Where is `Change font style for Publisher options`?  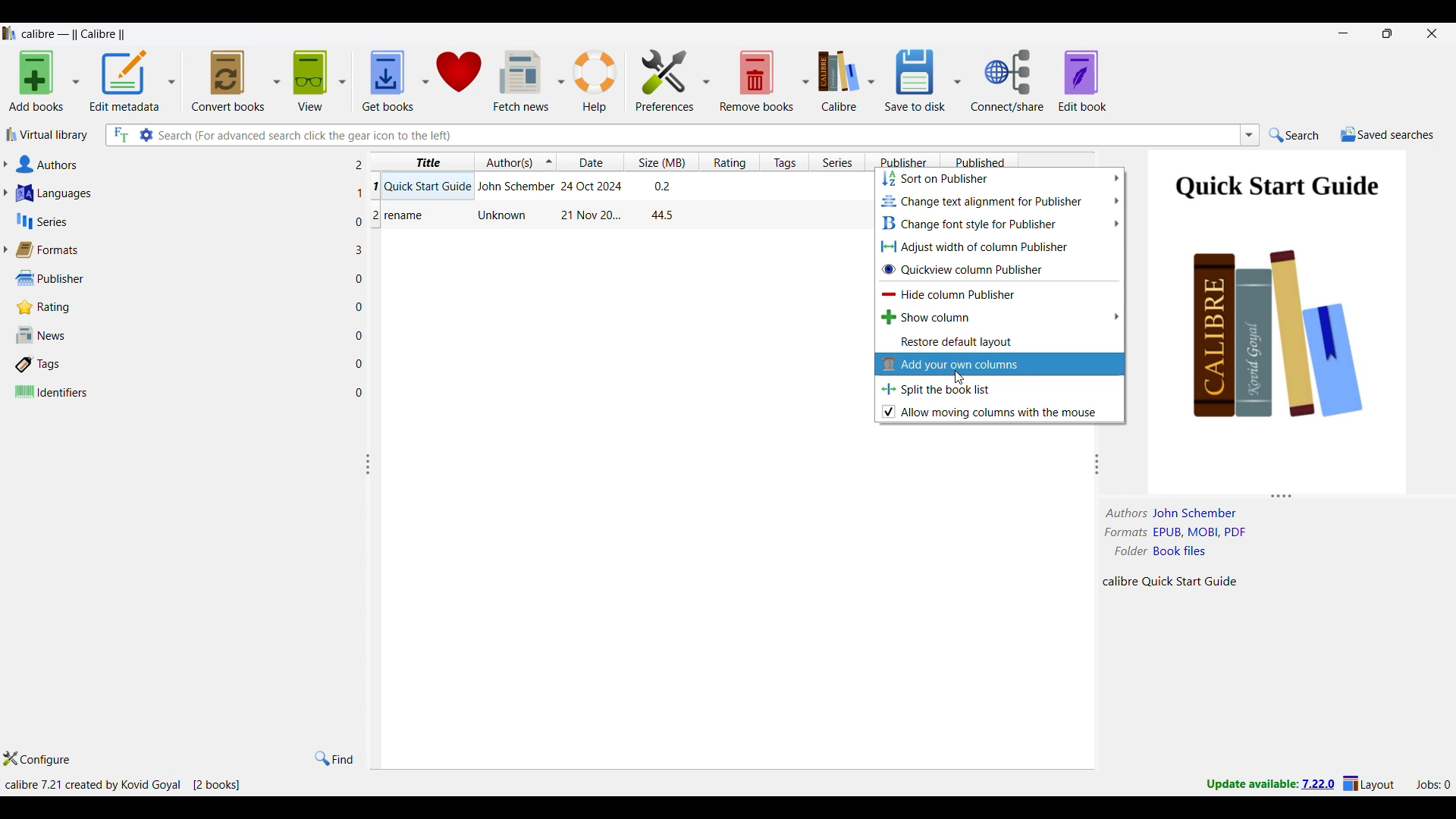 Change font style for Publisher options is located at coordinates (999, 224).